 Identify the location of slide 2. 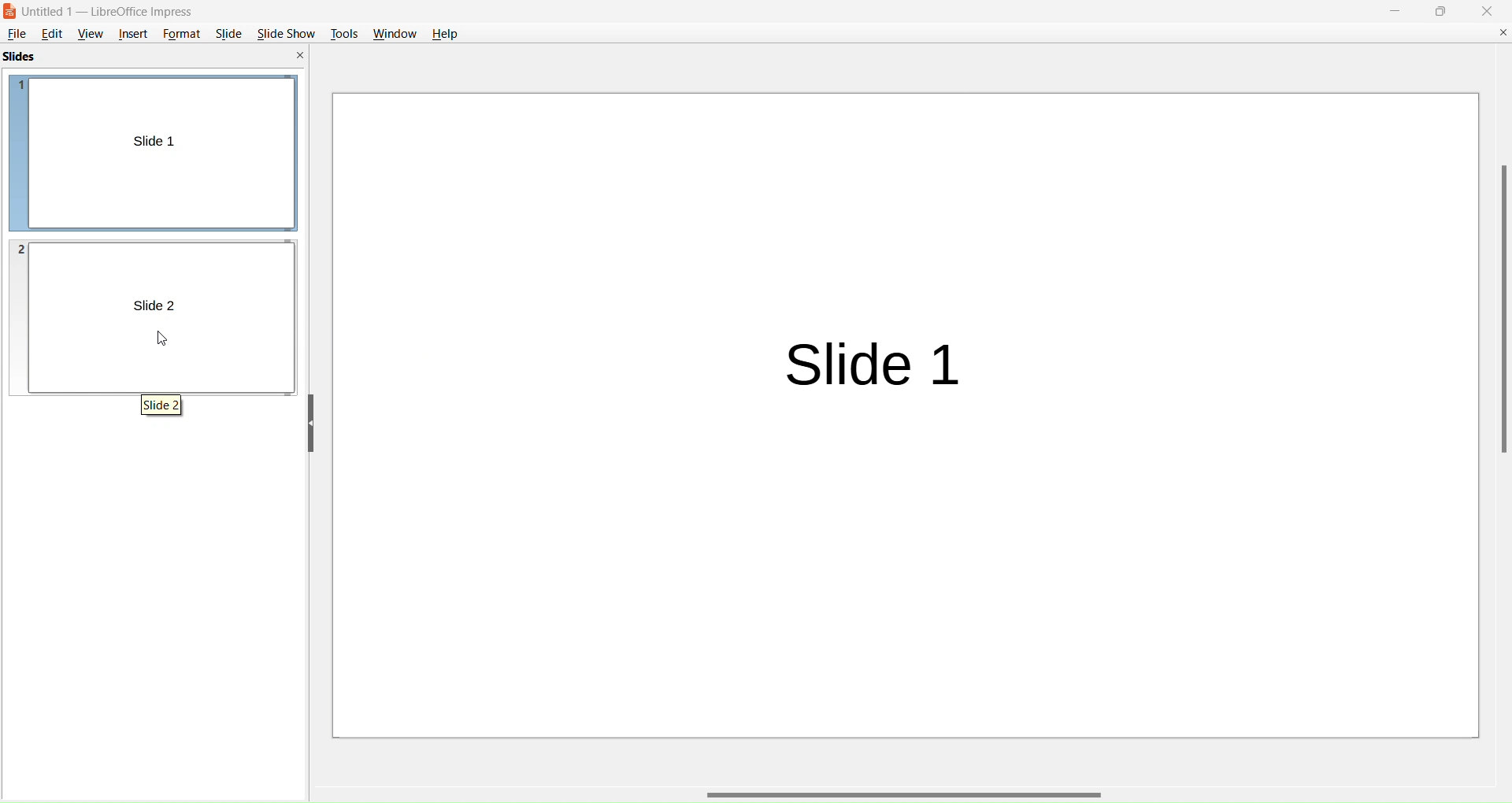
(160, 403).